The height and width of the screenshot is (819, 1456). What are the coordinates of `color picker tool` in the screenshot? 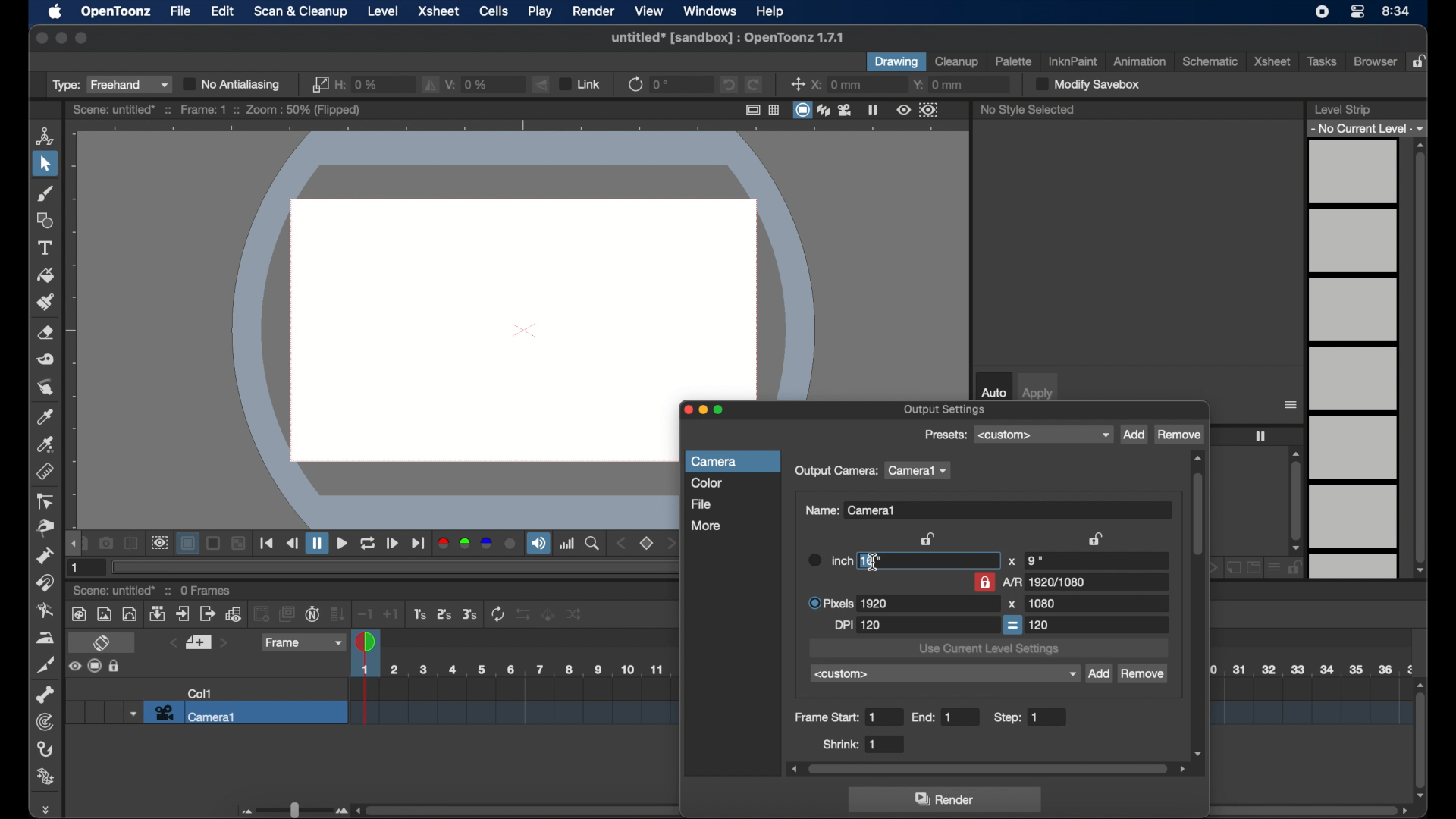 It's located at (46, 416).